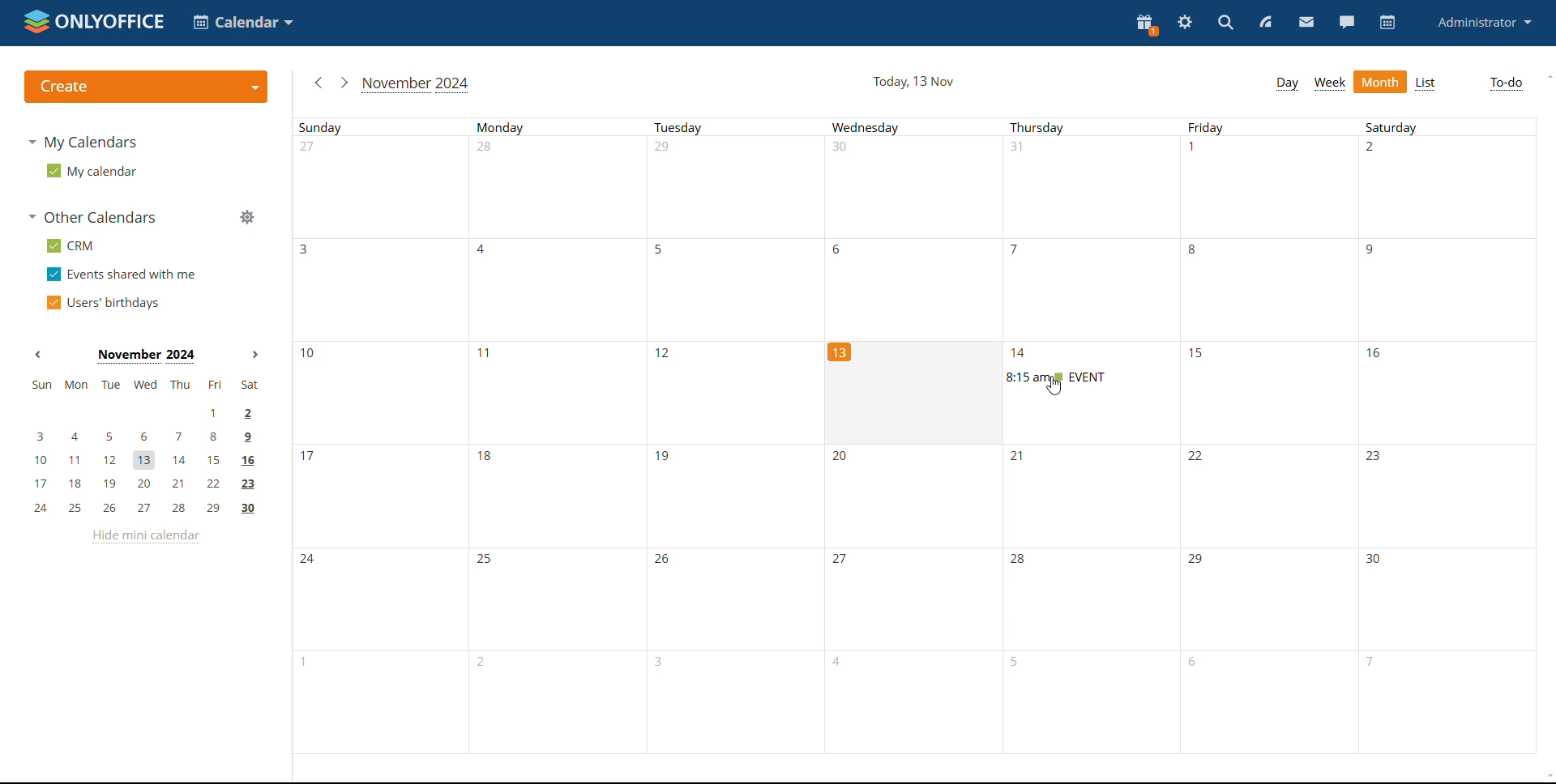 The width and height of the screenshot is (1556, 784). I want to click on calendar, so click(1388, 23).